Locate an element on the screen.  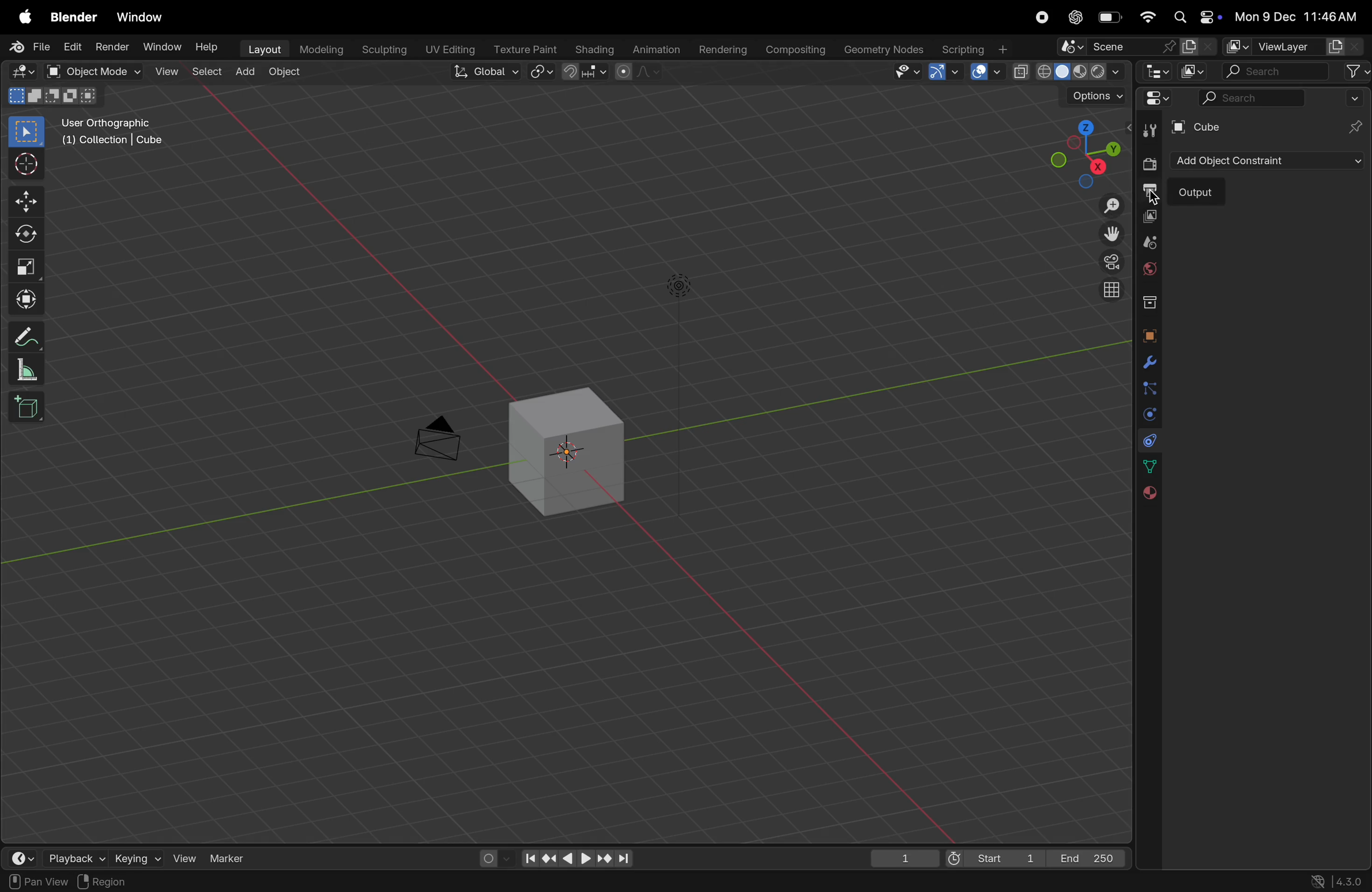
options is located at coordinates (1090, 95).